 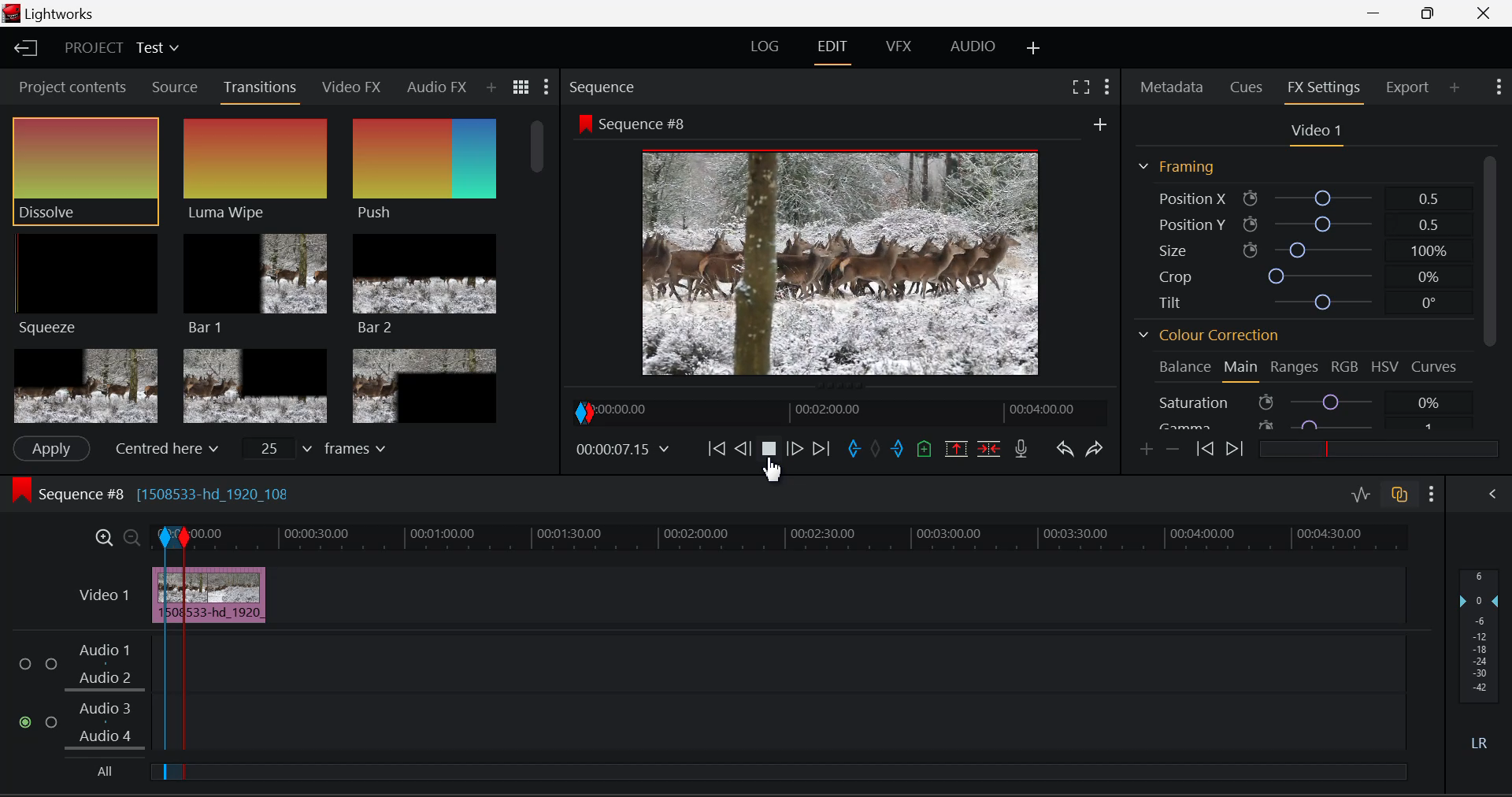 What do you see at coordinates (541, 267) in the screenshot?
I see `Scroll Bar` at bounding box center [541, 267].